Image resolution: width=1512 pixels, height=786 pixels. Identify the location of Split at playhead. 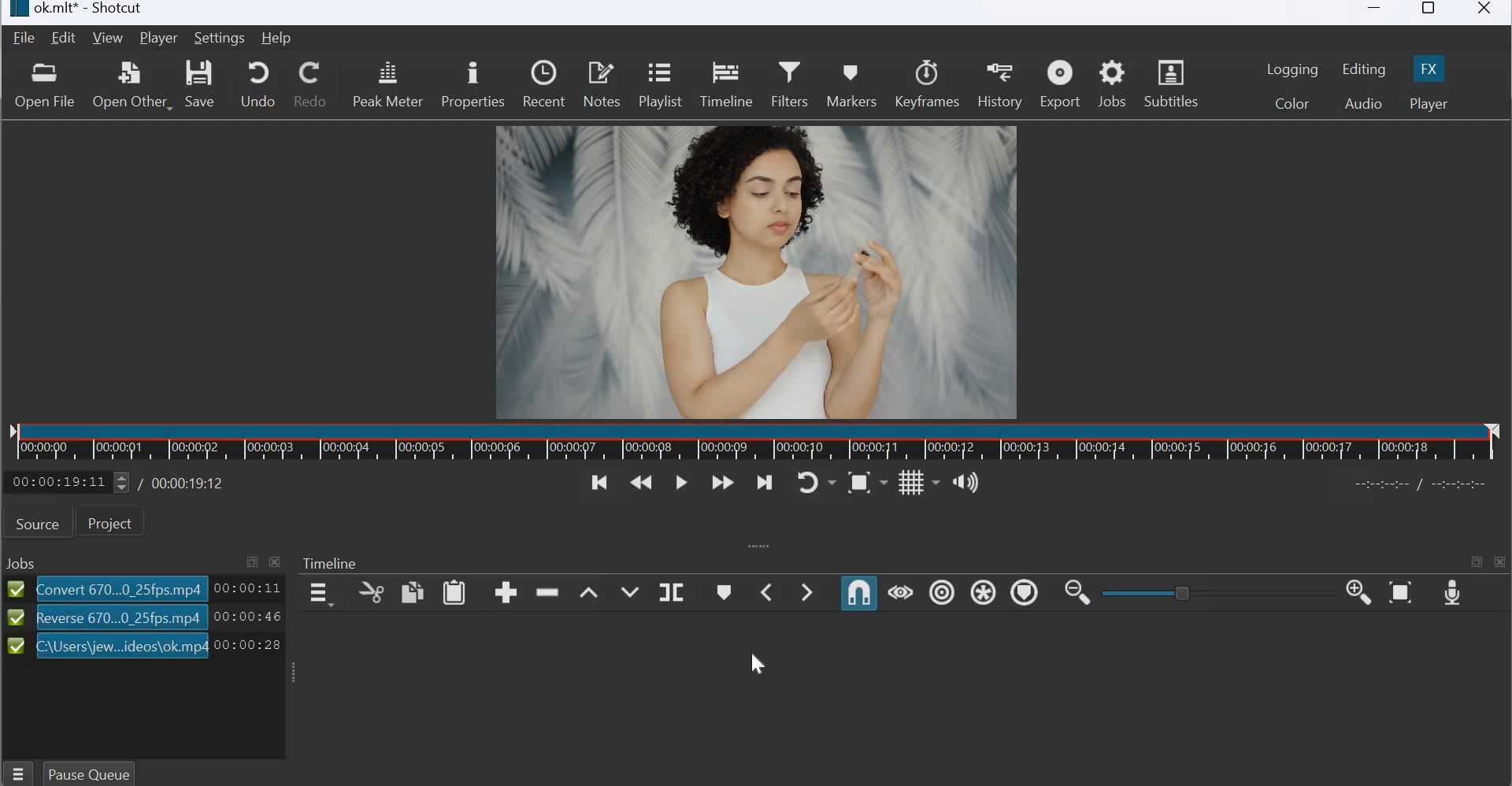
(677, 591).